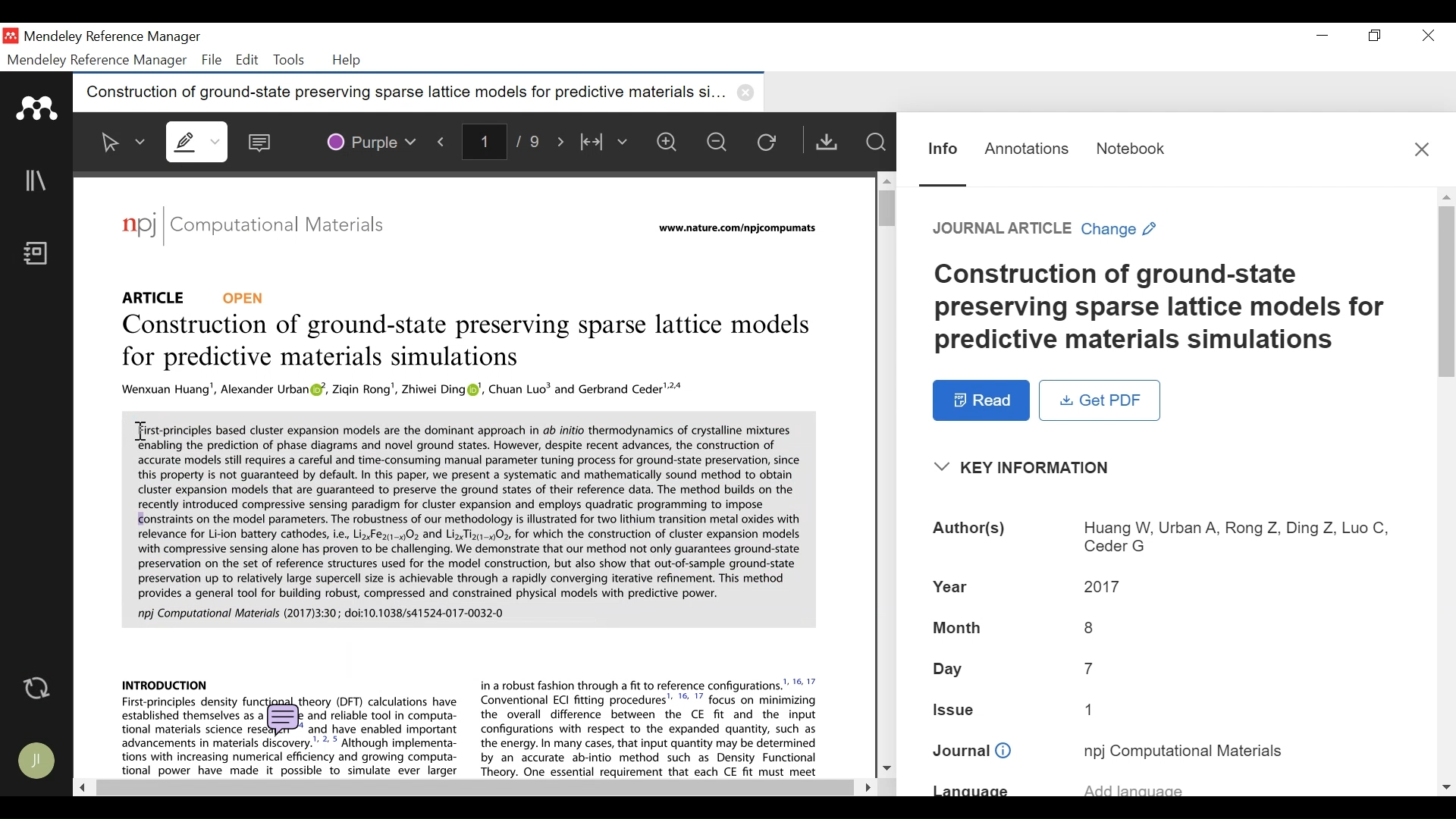 Image resolution: width=1456 pixels, height=819 pixels. Describe the element at coordinates (39, 108) in the screenshot. I see `Mendeley logo` at that location.